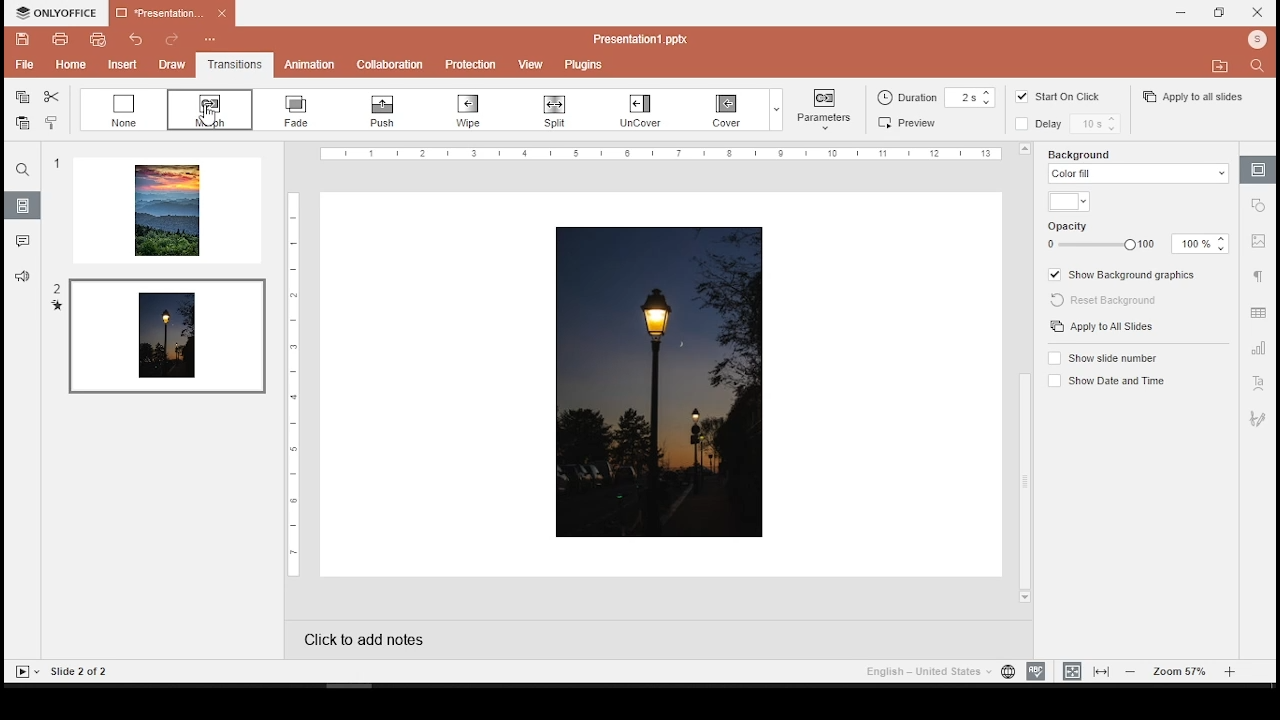  What do you see at coordinates (168, 63) in the screenshot?
I see `draw` at bounding box center [168, 63].